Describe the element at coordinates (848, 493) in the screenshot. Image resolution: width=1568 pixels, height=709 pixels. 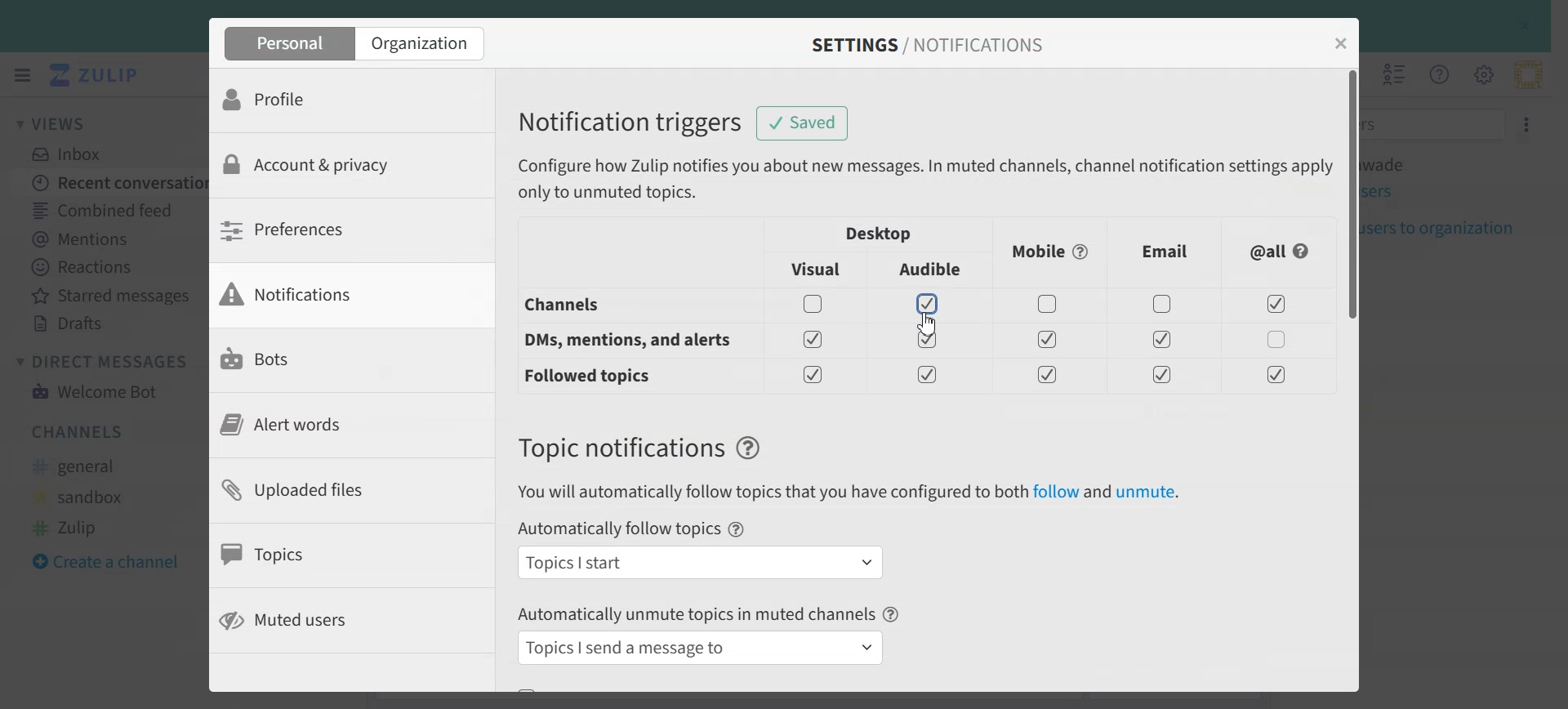
I see `You will automatically follow topics that you have configured to both follow and unmute.` at that location.